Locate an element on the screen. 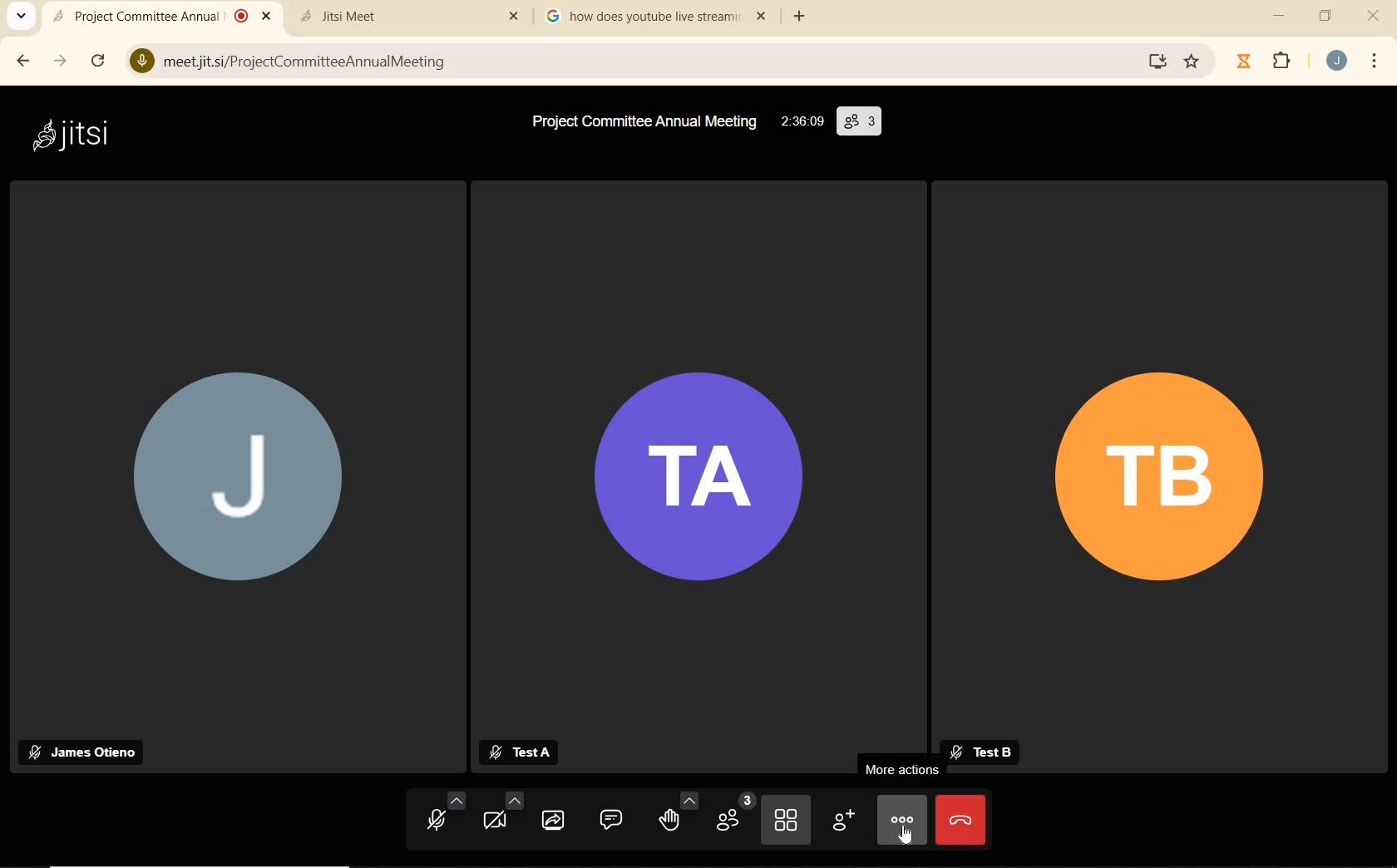 This screenshot has height=868, width=1397. James Otieno is located at coordinates (85, 750).